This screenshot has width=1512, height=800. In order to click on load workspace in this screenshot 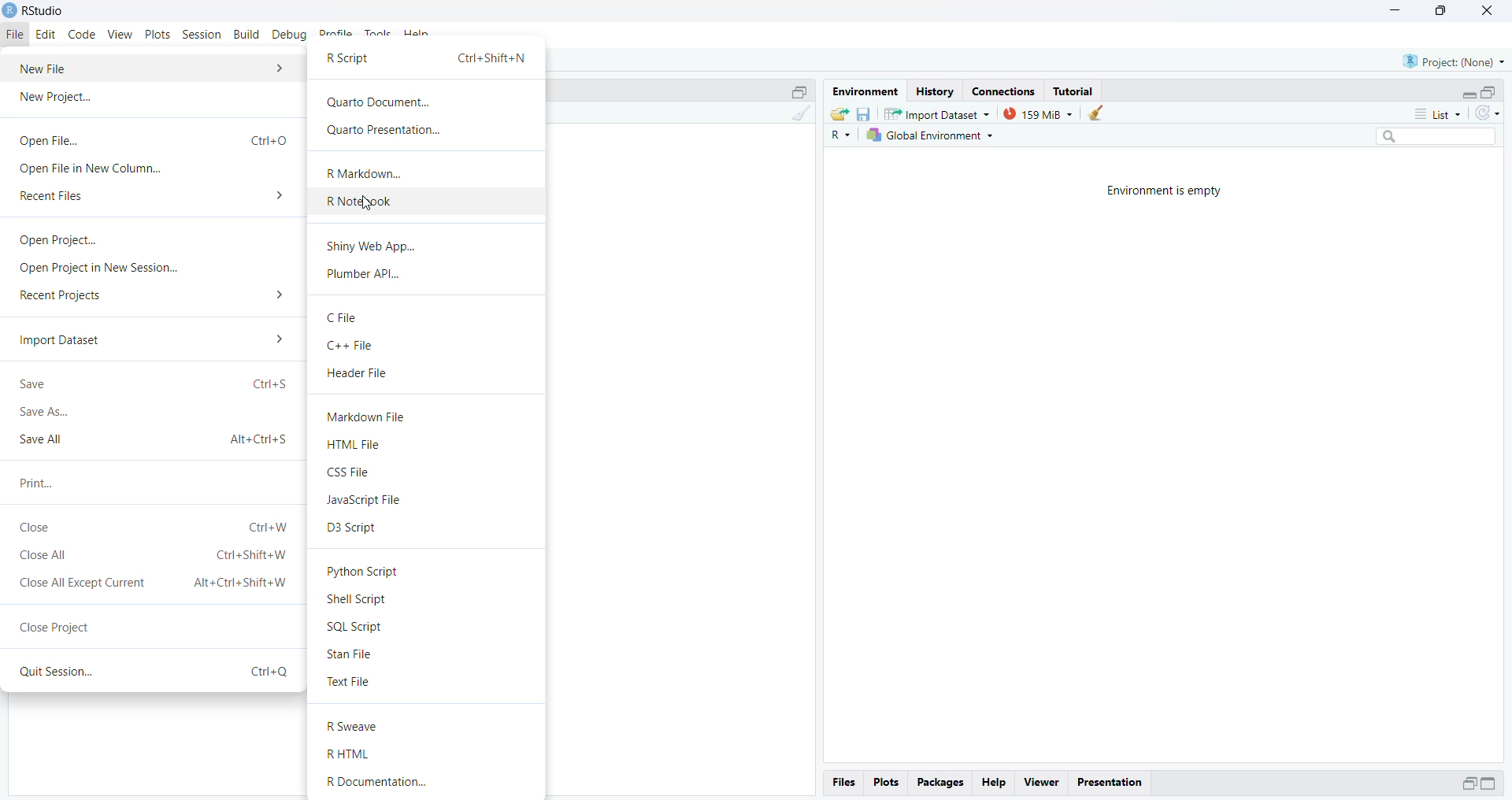, I will do `click(839, 113)`.